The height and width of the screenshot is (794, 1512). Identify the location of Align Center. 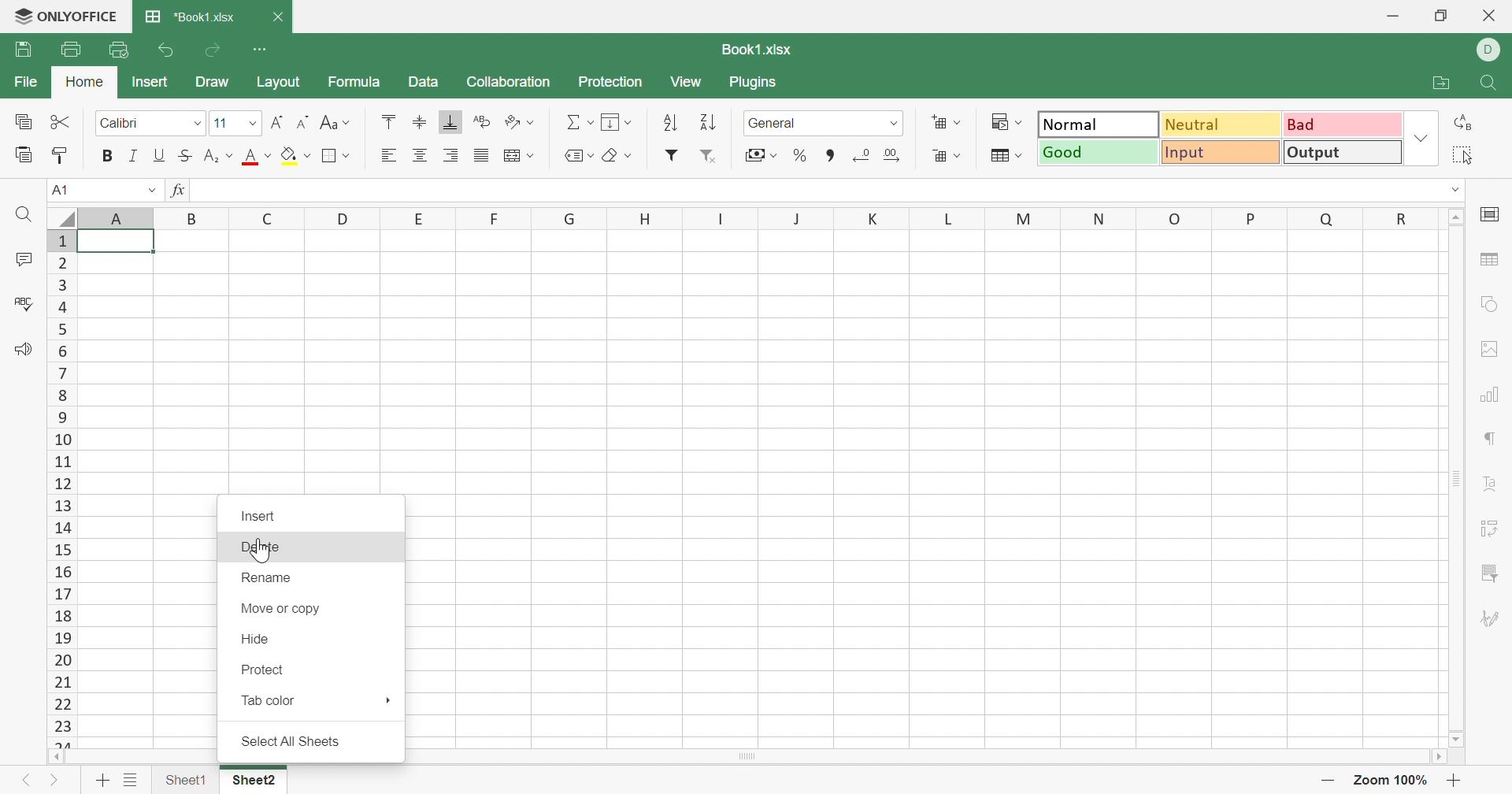
(421, 156).